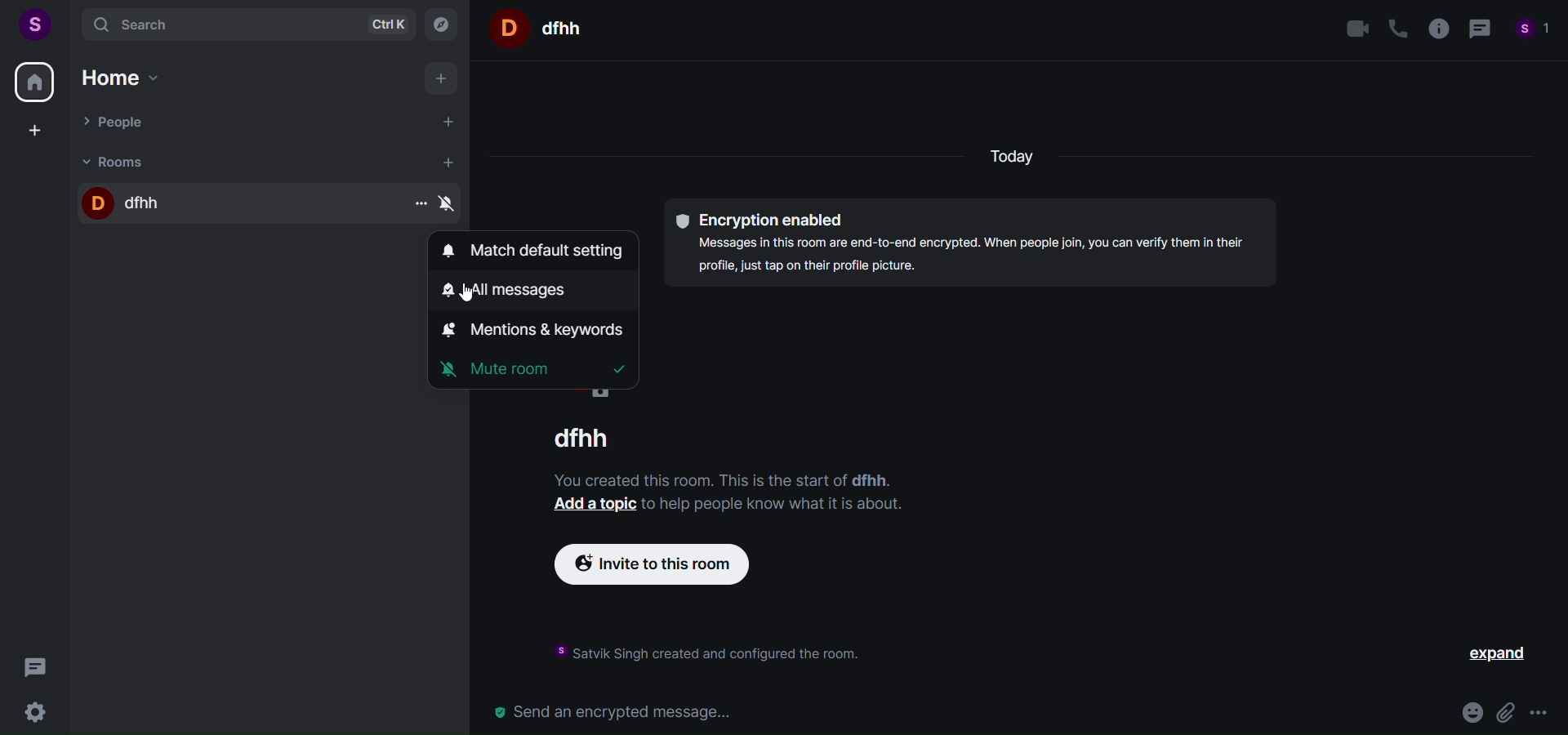 The width and height of the screenshot is (1568, 735). Describe the element at coordinates (1495, 653) in the screenshot. I see `expand` at that location.